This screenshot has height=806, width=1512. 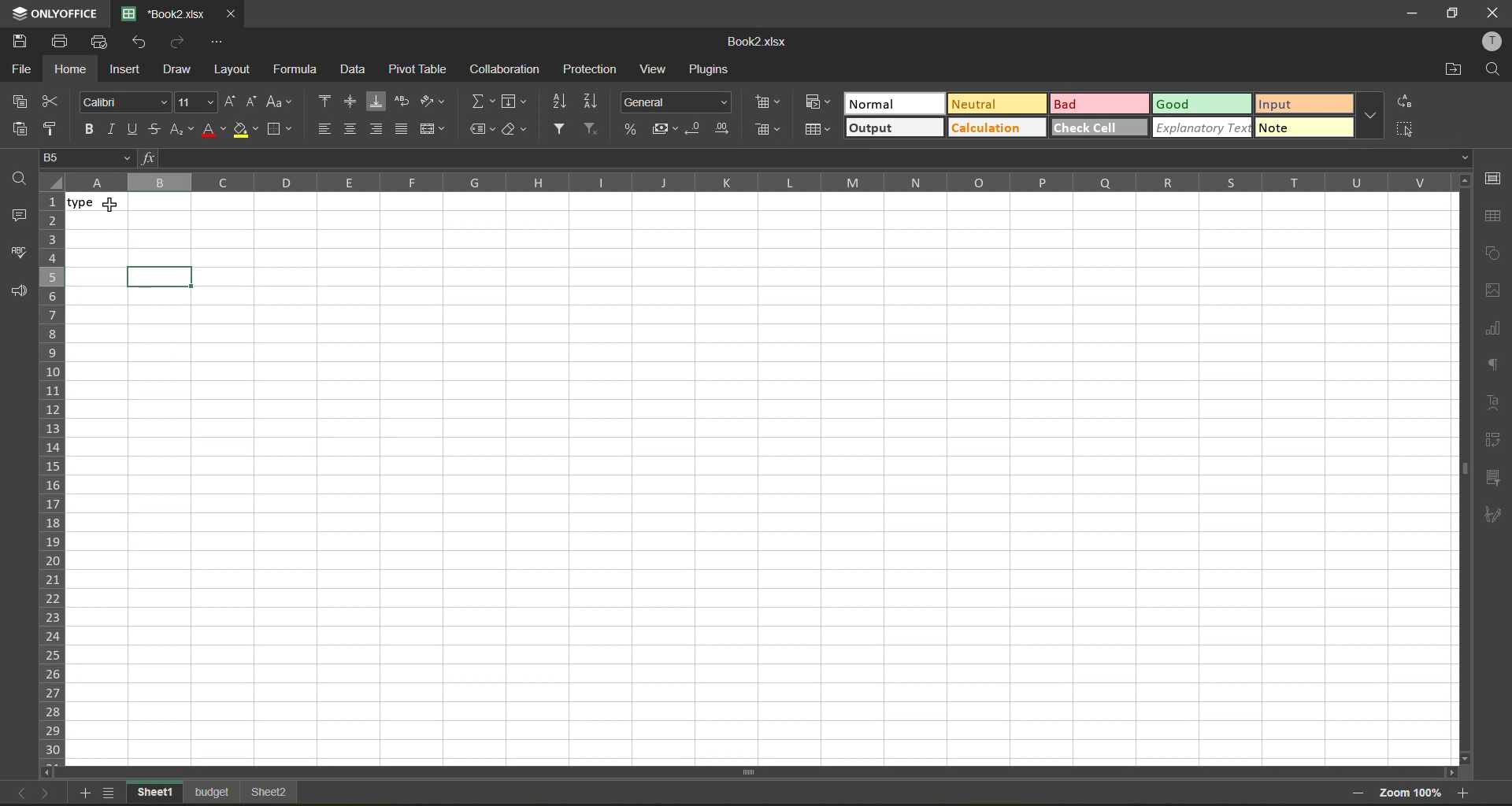 I want to click on normal, so click(x=893, y=102).